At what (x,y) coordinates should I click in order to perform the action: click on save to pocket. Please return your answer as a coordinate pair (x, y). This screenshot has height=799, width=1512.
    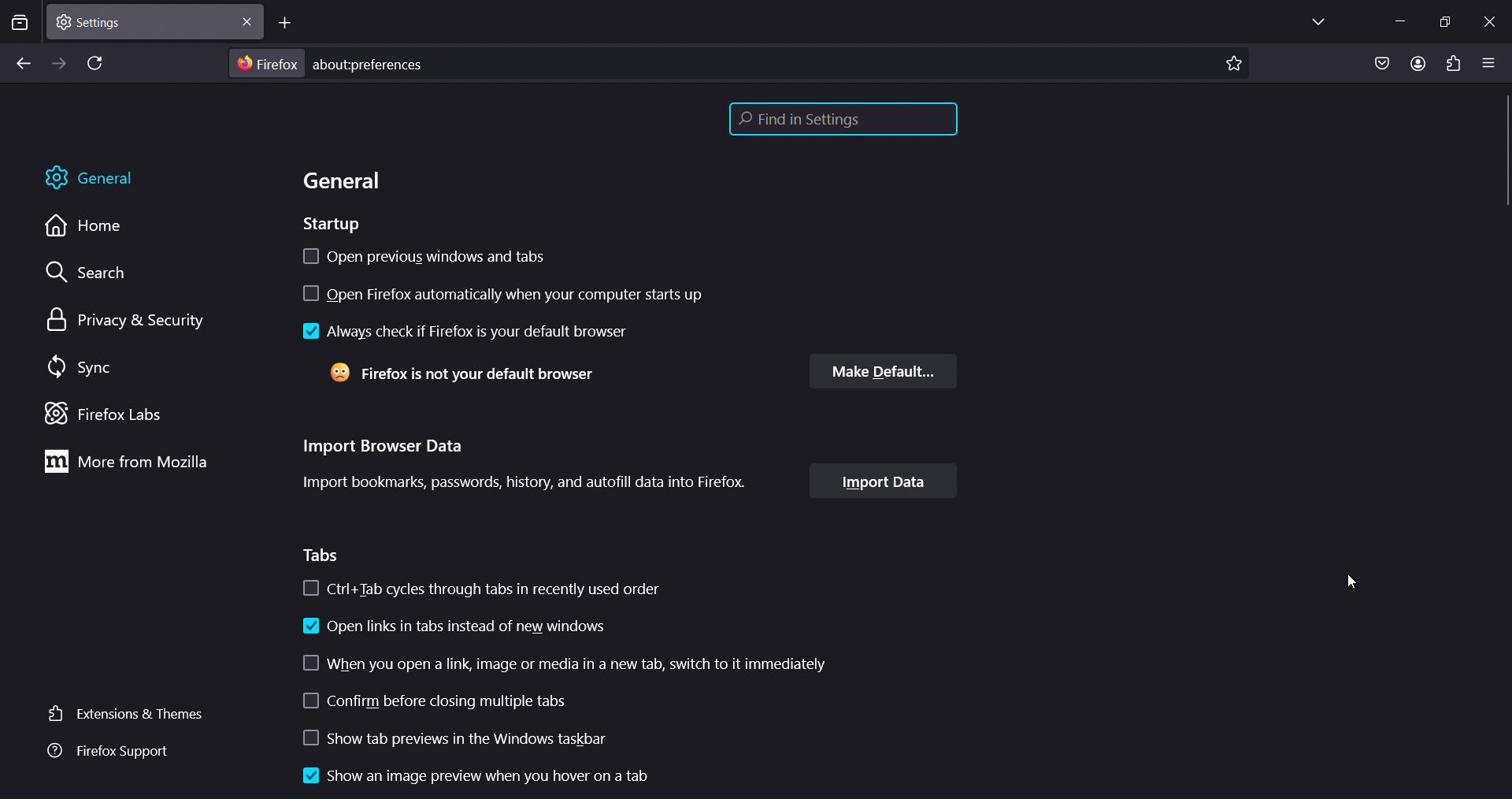
    Looking at the image, I should click on (1378, 64).